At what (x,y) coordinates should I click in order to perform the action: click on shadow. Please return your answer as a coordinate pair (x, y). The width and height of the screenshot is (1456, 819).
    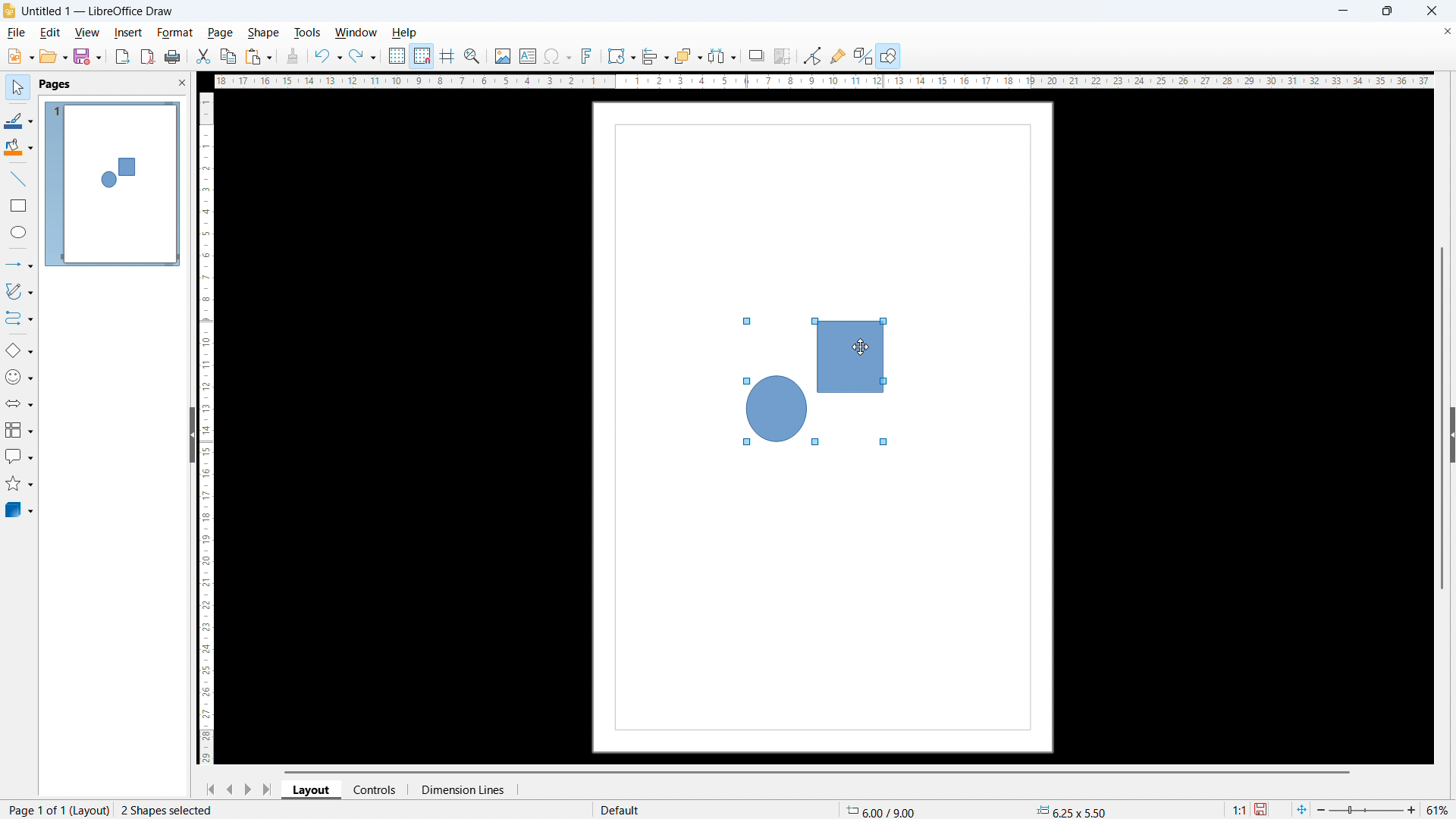
    Looking at the image, I should click on (758, 56).